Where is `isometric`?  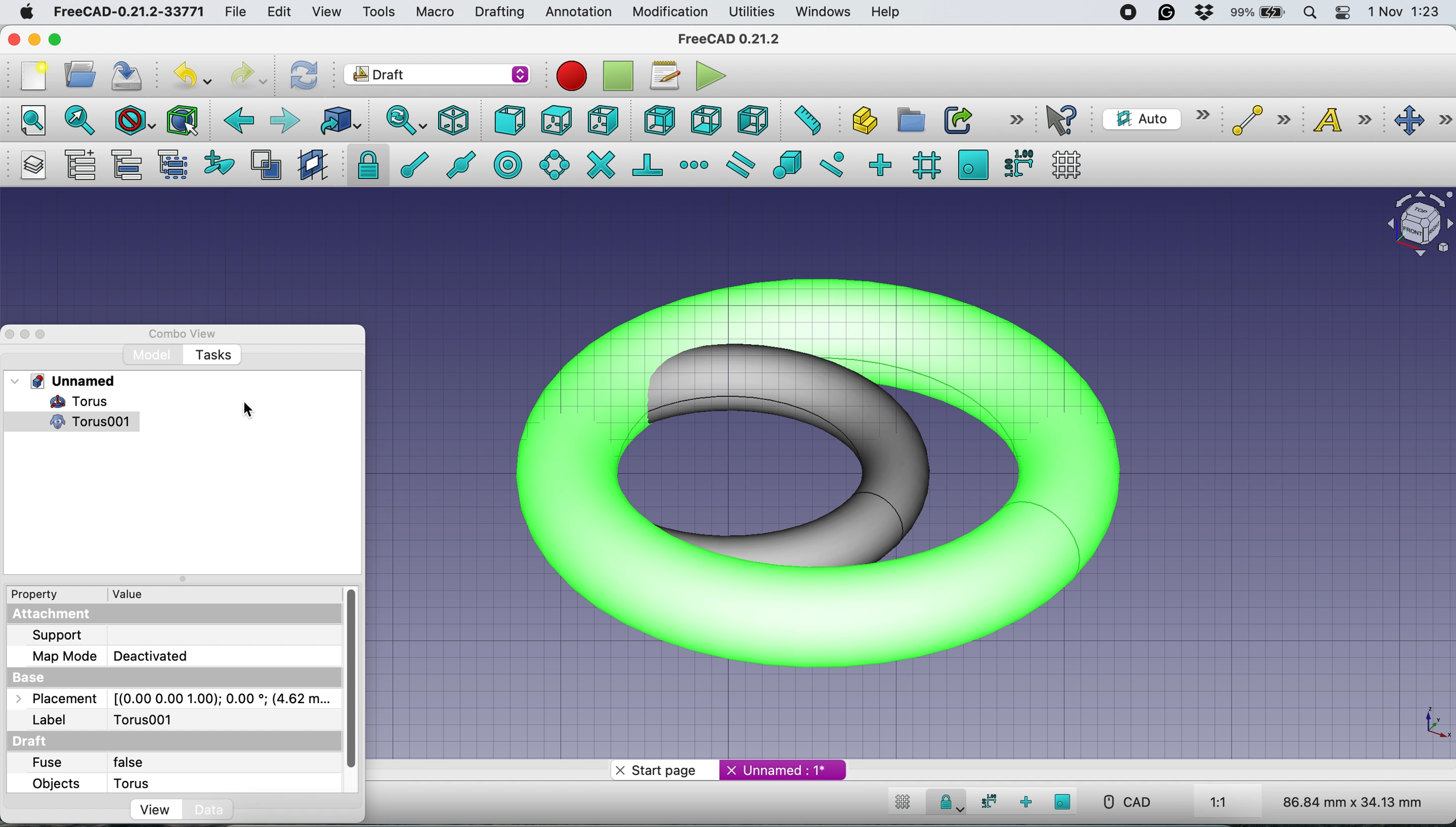
isometric is located at coordinates (455, 120).